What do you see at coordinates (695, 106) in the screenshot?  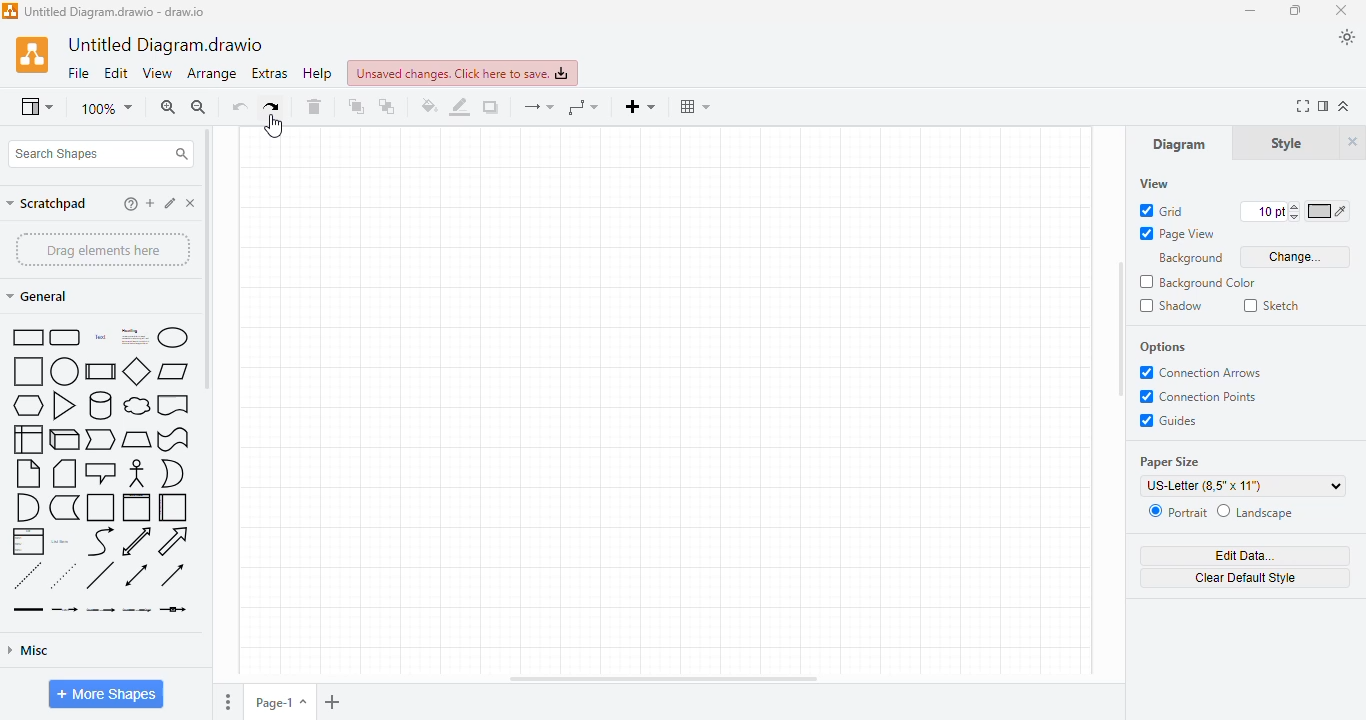 I see `table` at bounding box center [695, 106].